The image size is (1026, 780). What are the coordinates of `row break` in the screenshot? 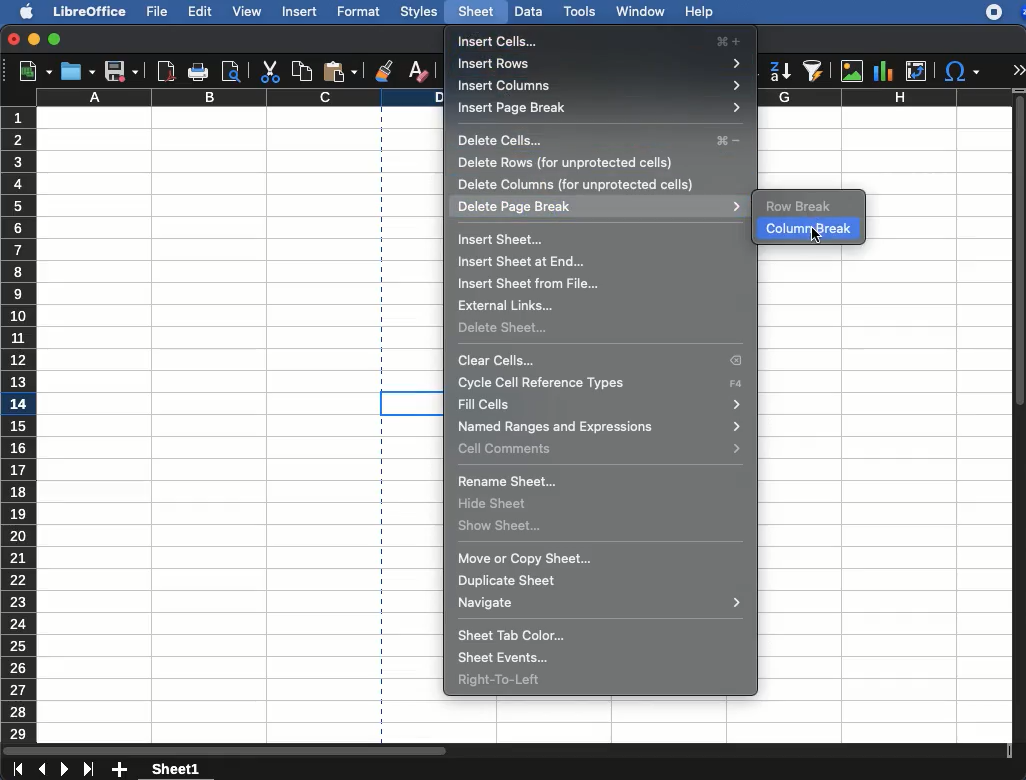 It's located at (803, 206).